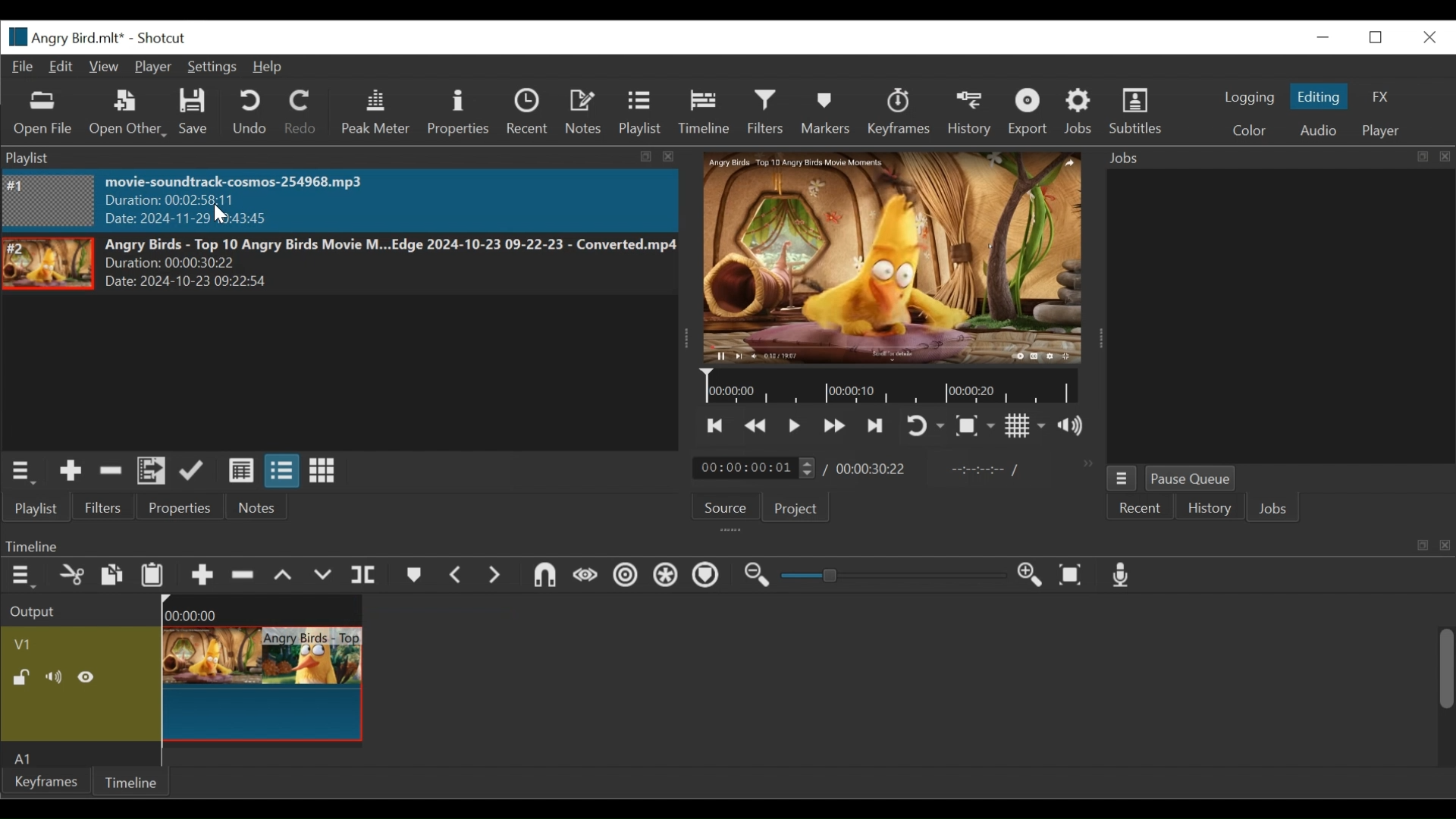 The width and height of the screenshot is (1456, 819). What do you see at coordinates (363, 576) in the screenshot?
I see `Split Playhead` at bounding box center [363, 576].